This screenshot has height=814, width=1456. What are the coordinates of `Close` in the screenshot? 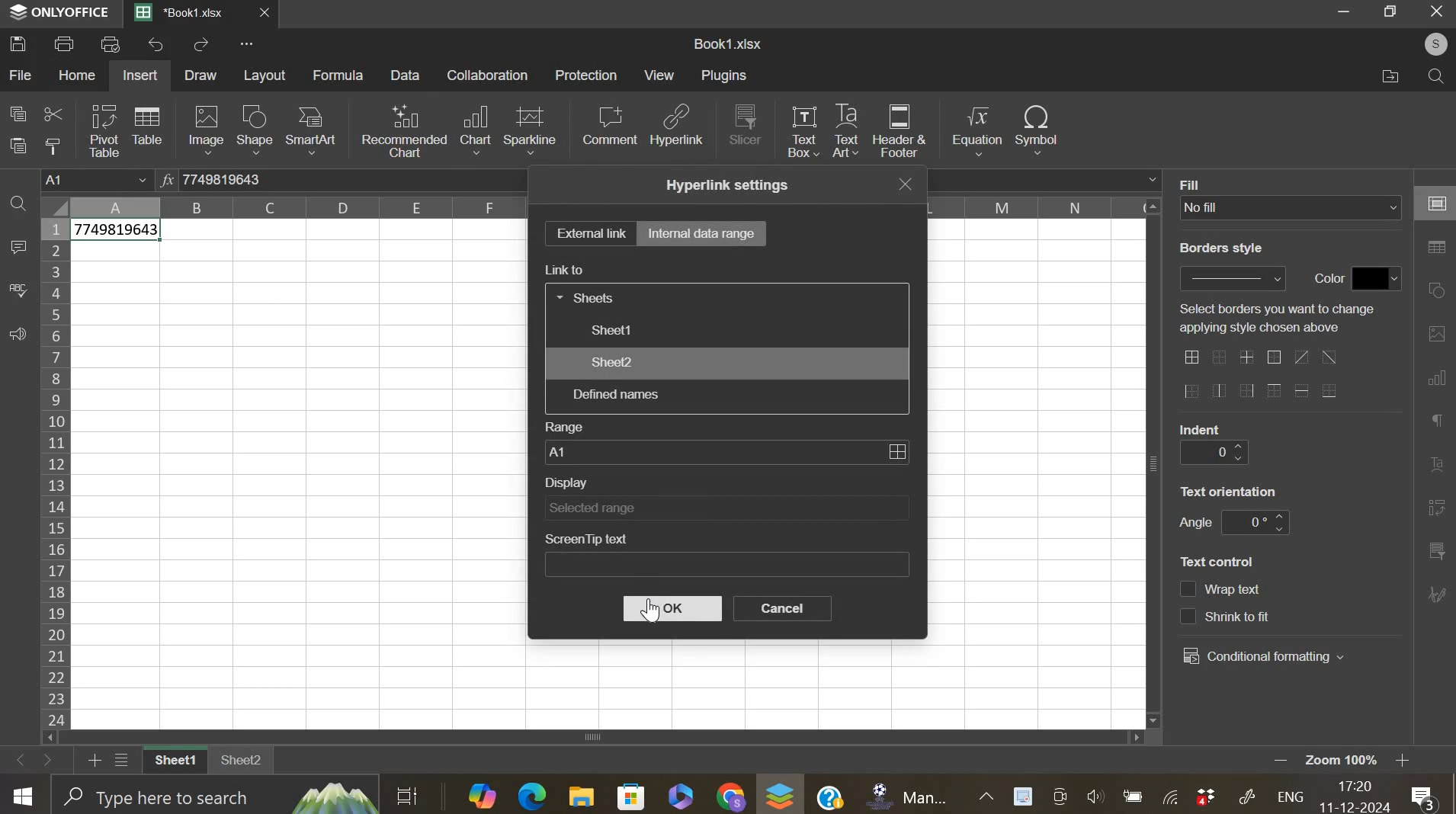 It's located at (1437, 12).